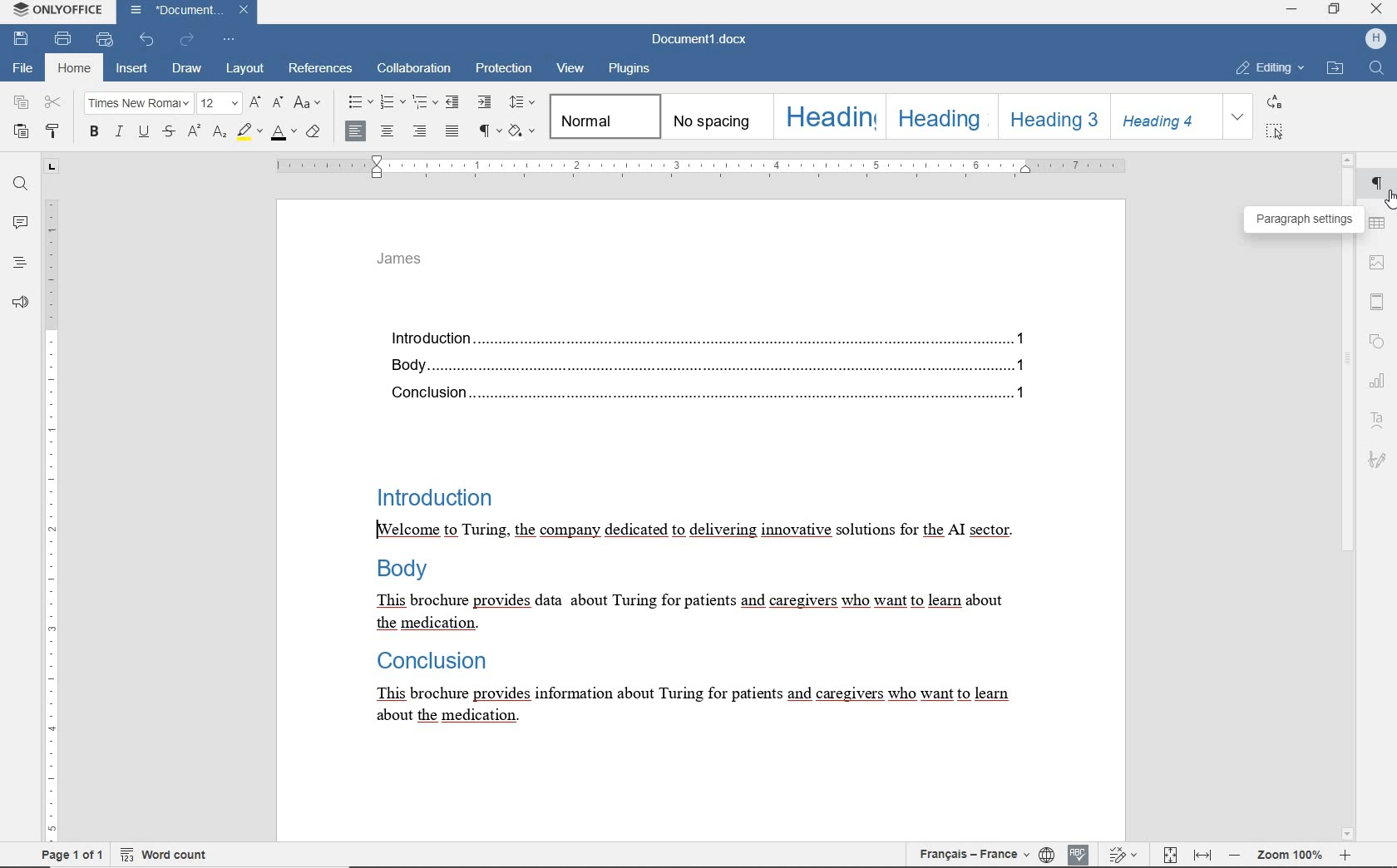 The height and width of the screenshot is (868, 1397). What do you see at coordinates (279, 104) in the screenshot?
I see `decrement font size` at bounding box center [279, 104].